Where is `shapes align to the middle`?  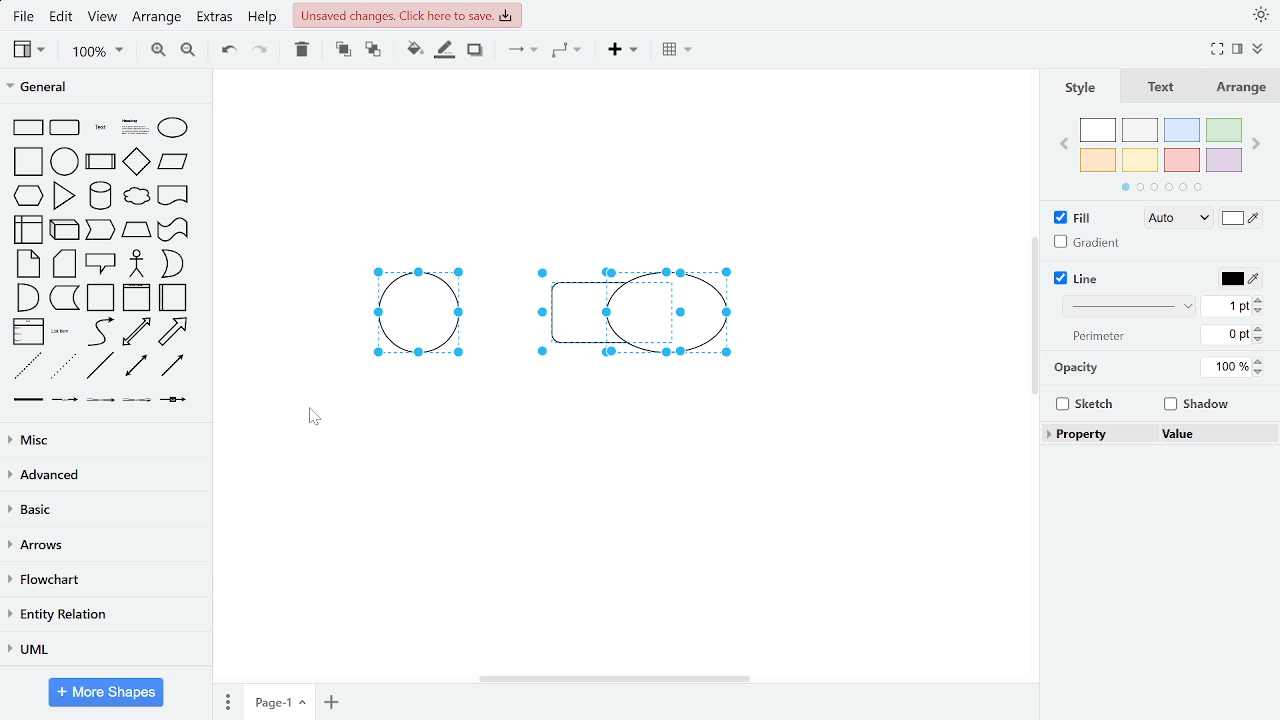 shapes align to the middle is located at coordinates (540, 308).